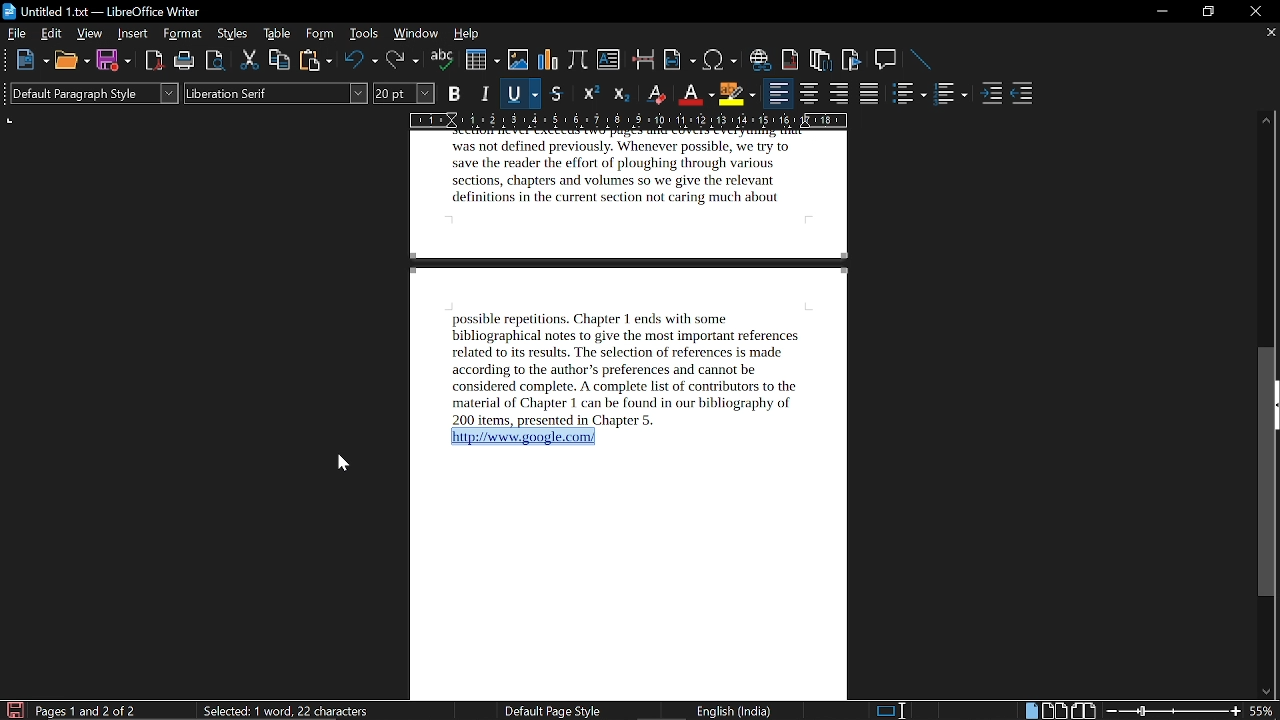 This screenshot has width=1280, height=720. What do you see at coordinates (361, 61) in the screenshot?
I see `undo` at bounding box center [361, 61].